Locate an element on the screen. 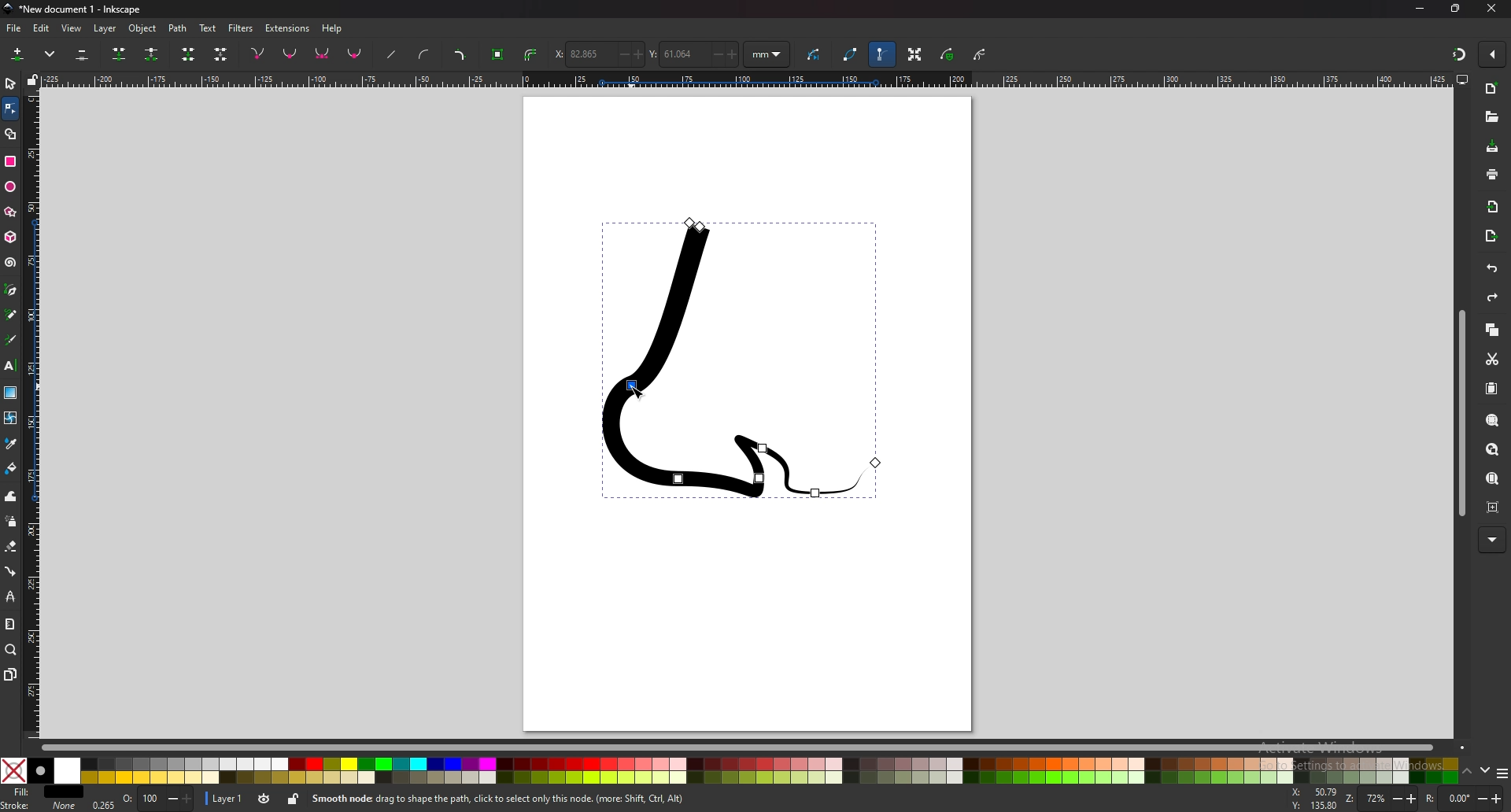 Image resolution: width=1511 pixels, height=812 pixels. stroke is located at coordinates (39, 805).